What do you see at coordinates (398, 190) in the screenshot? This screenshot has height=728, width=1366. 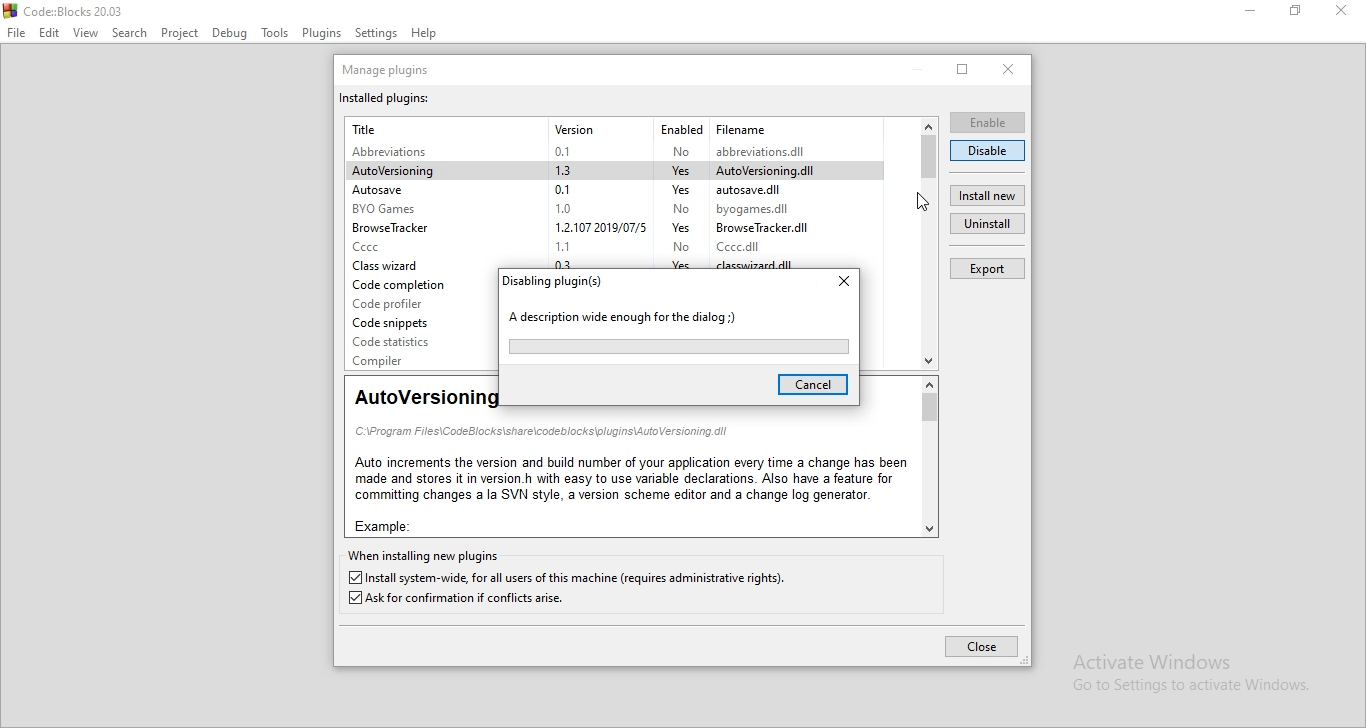 I see `Autosave ` at bounding box center [398, 190].